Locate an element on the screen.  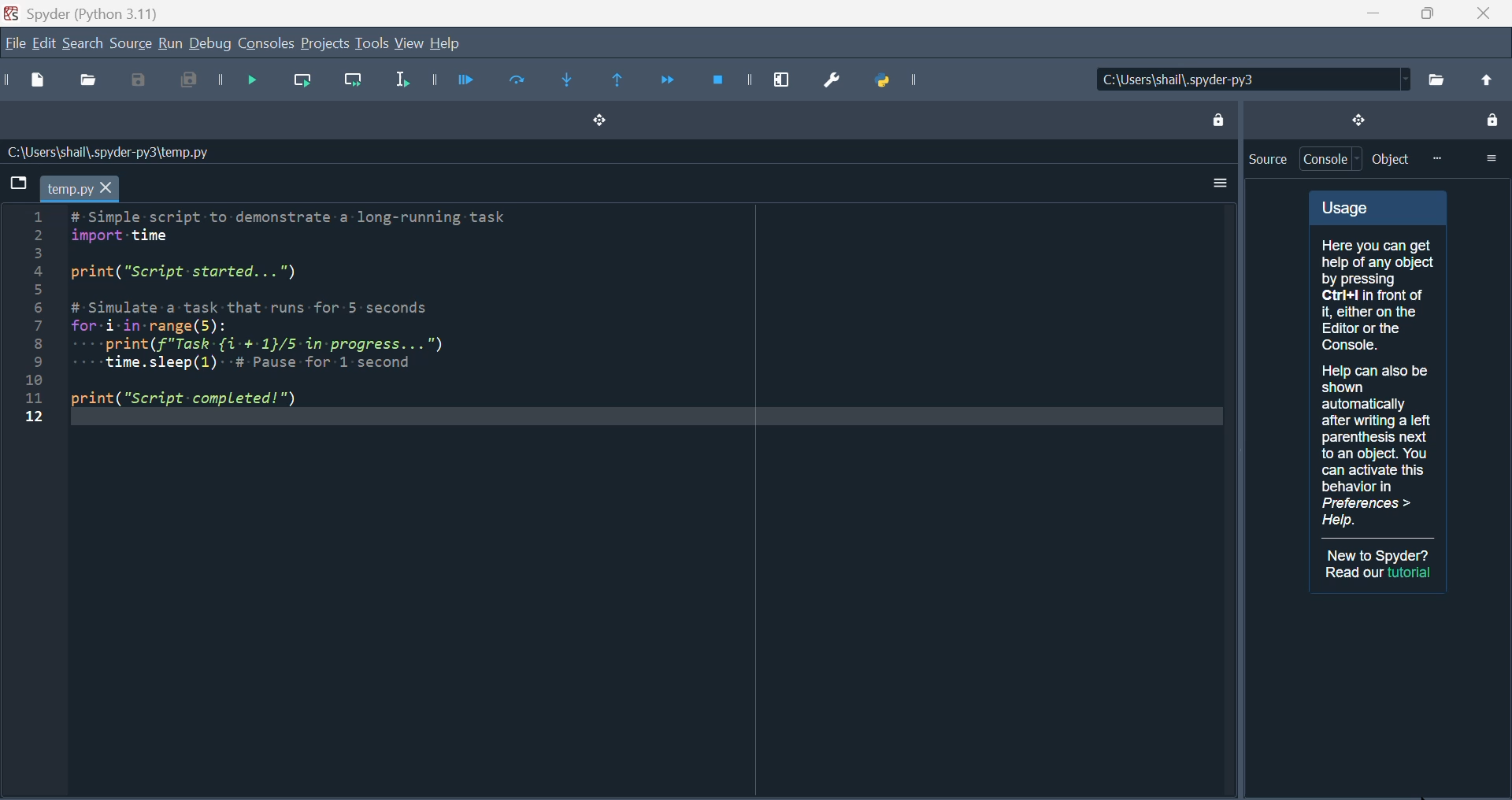
Run file is located at coordinates (465, 80).